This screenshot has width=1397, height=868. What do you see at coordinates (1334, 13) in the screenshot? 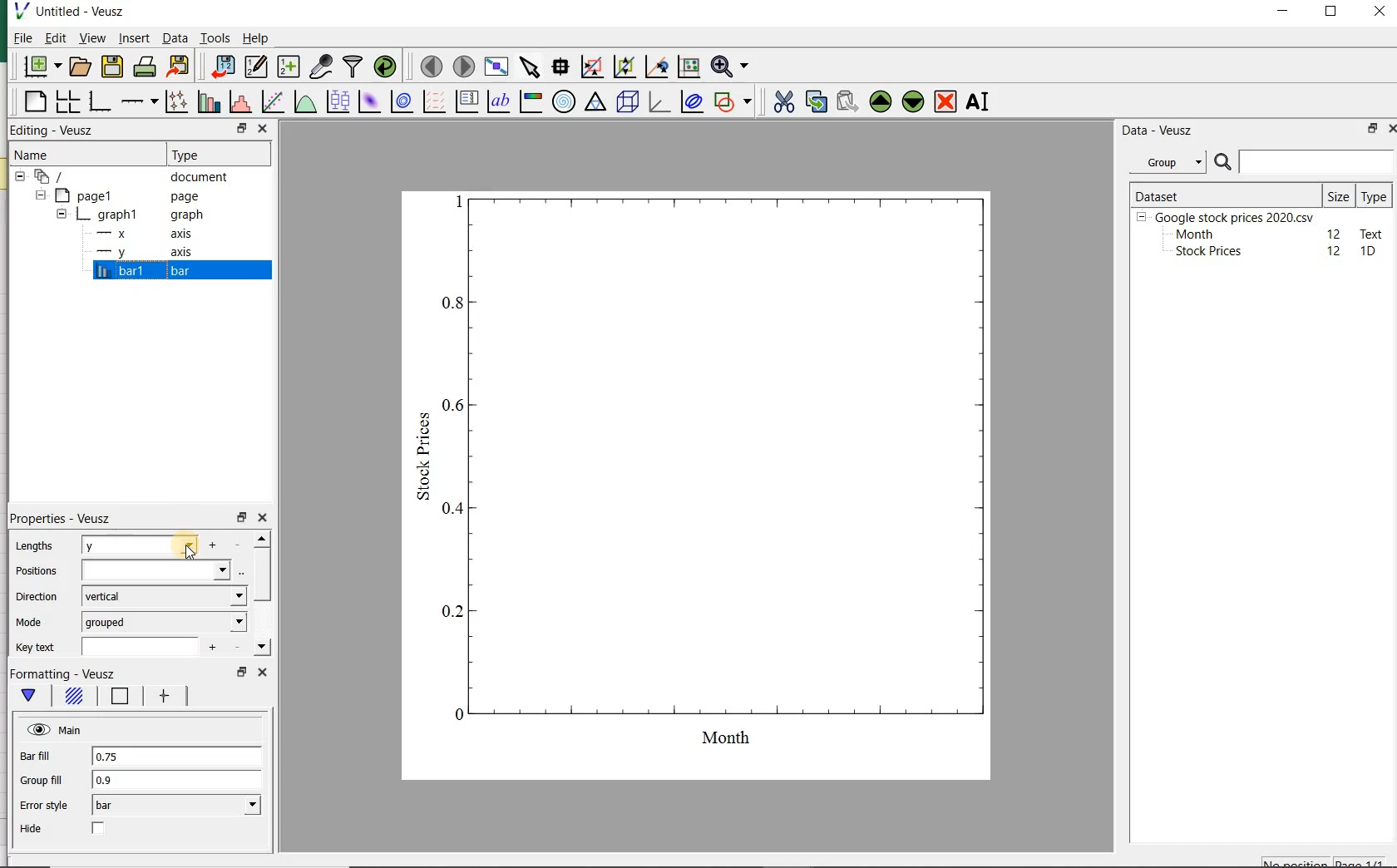
I see `maximize` at bounding box center [1334, 13].